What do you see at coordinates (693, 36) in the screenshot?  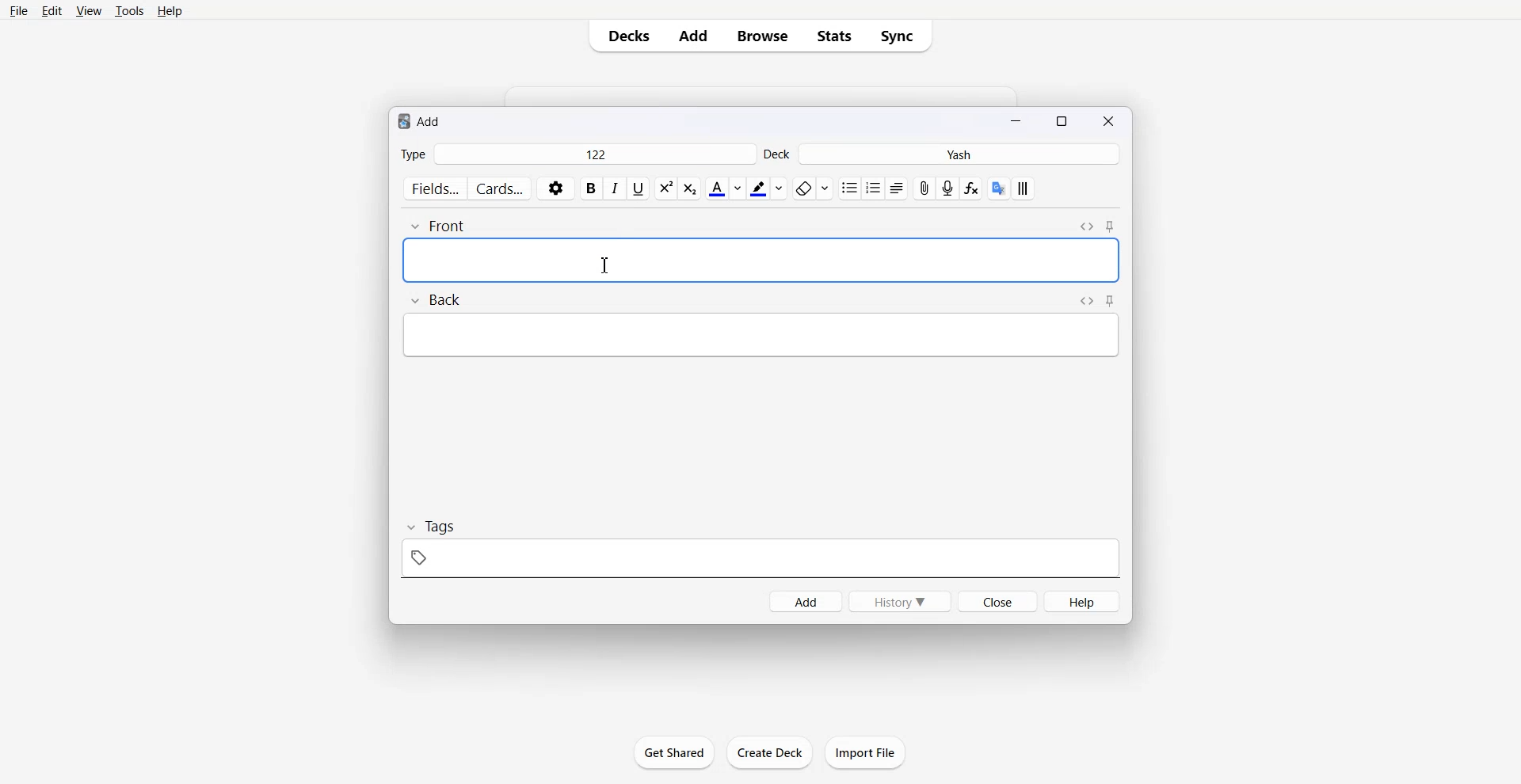 I see `Add` at bounding box center [693, 36].